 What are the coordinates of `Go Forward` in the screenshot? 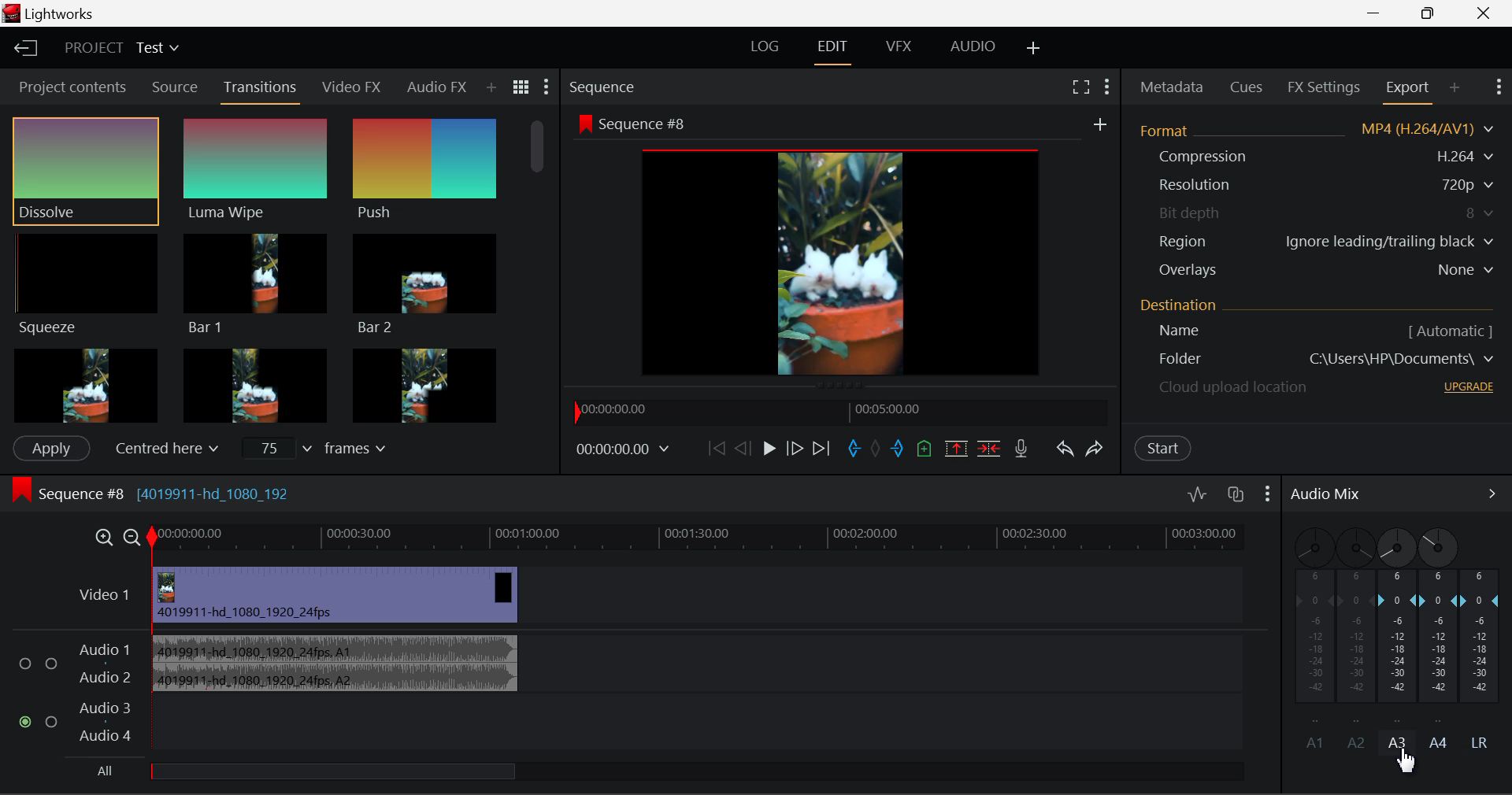 It's located at (795, 449).